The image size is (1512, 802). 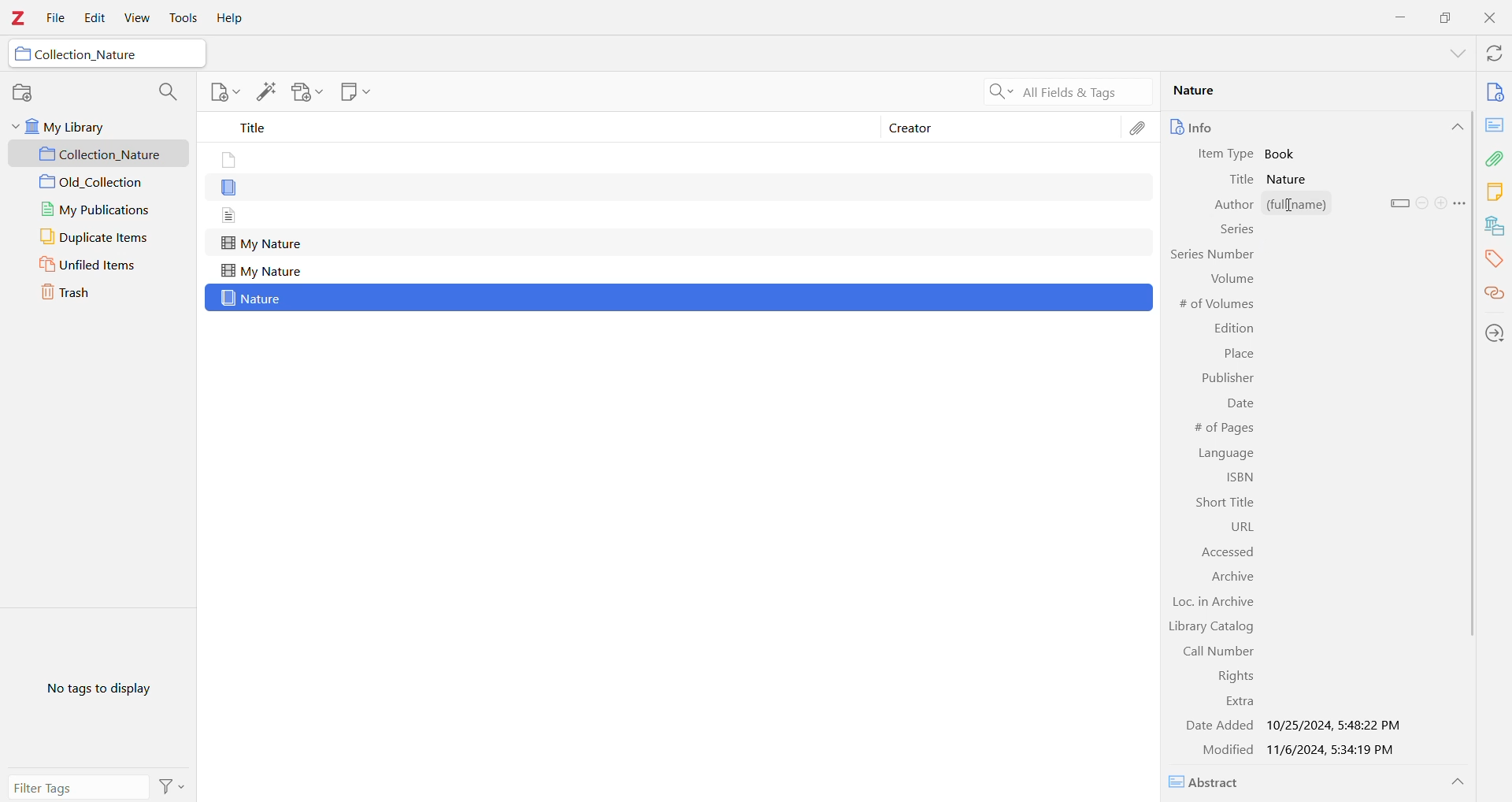 I want to click on Trash, so click(x=84, y=291).